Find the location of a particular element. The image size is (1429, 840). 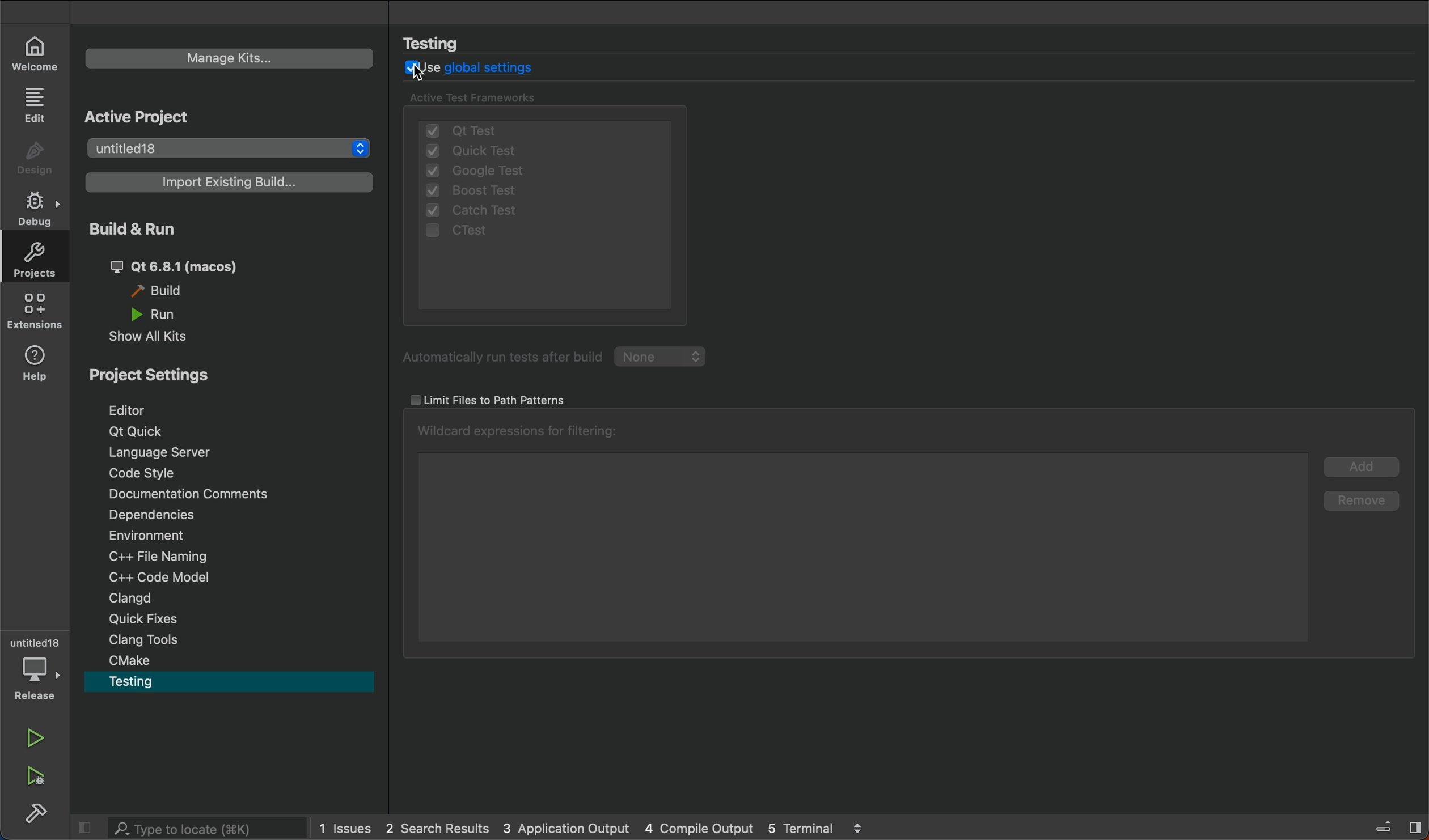

limit tests is located at coordinates (489, 398).